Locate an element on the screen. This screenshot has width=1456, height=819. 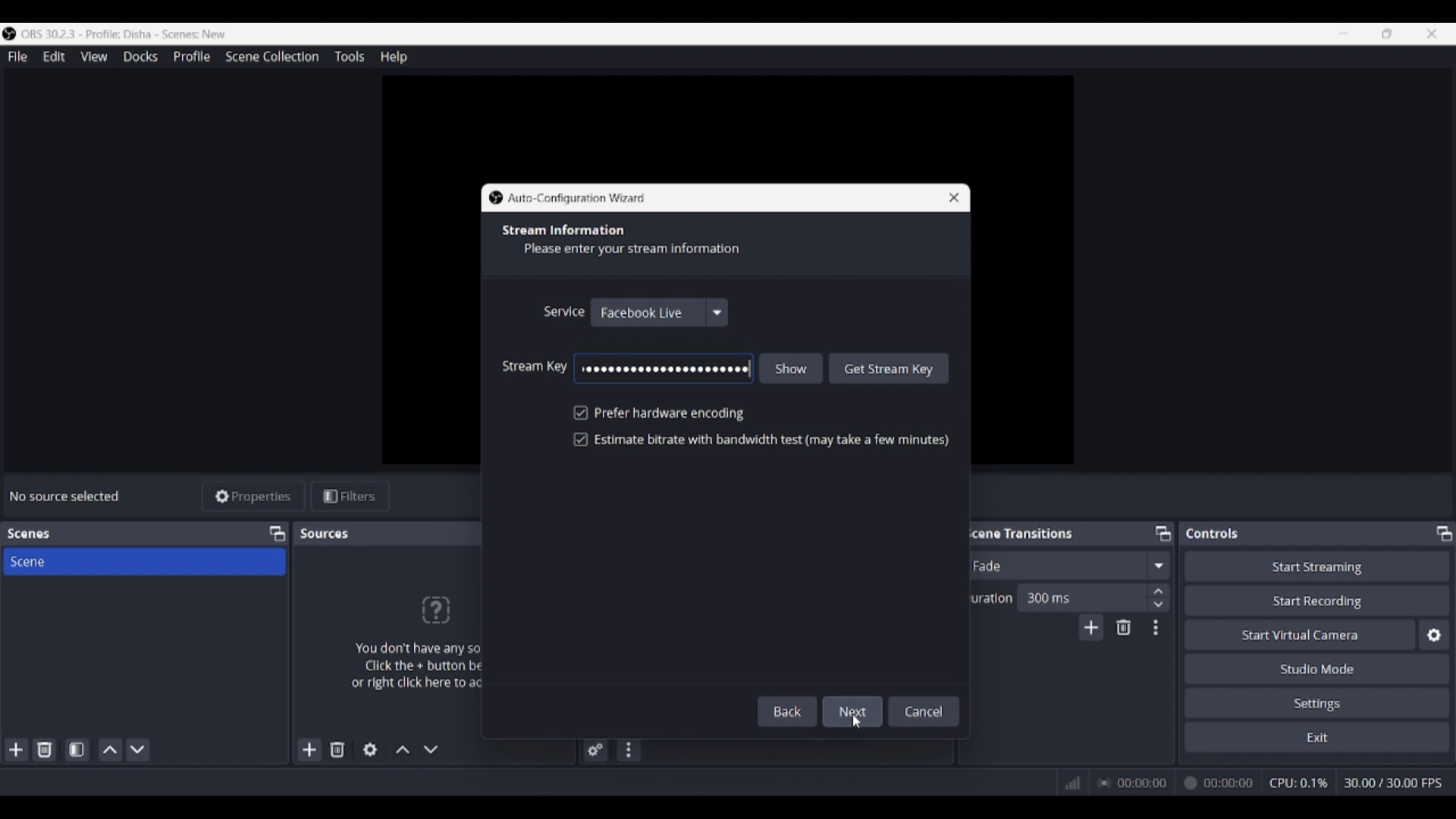
Scene collection menu is located at coordinates (271, 56).